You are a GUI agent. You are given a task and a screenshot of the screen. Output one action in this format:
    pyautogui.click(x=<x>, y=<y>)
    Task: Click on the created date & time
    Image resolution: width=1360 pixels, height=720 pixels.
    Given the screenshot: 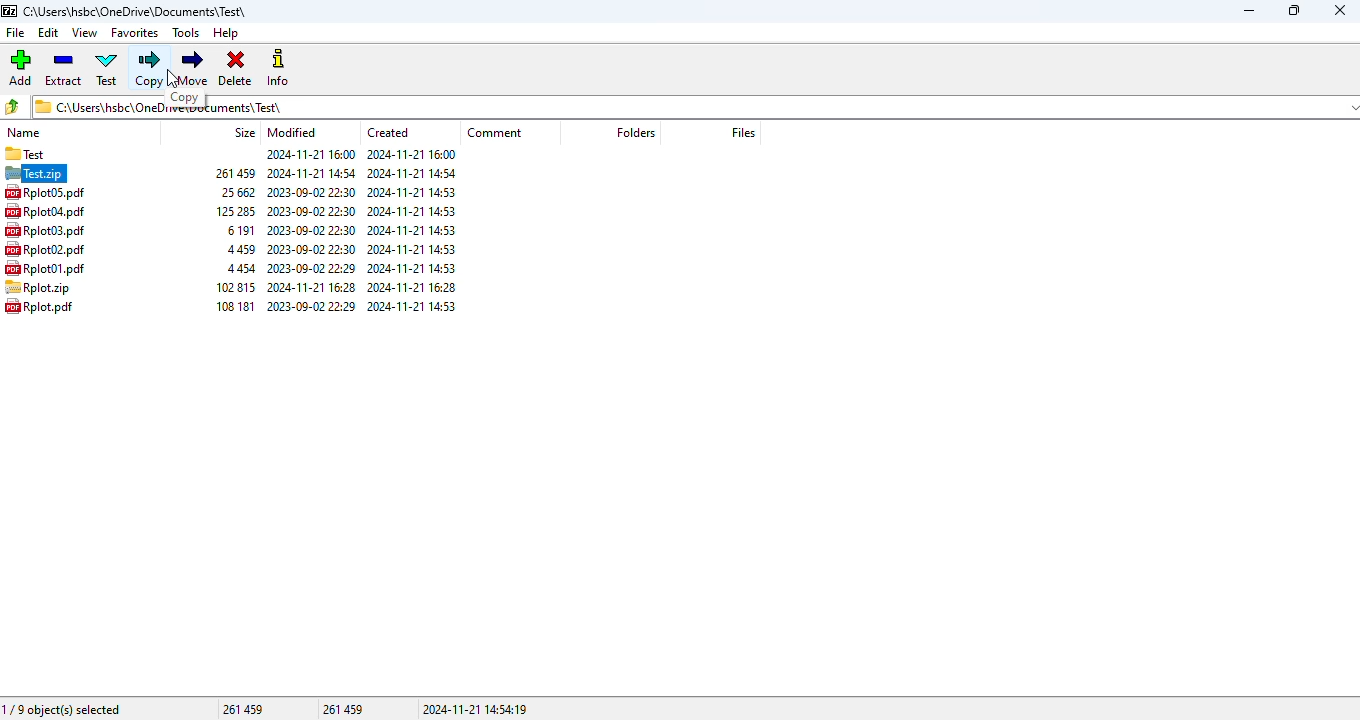 What is the action you would take?
    pyautogui.click(x=411, y=191)
    